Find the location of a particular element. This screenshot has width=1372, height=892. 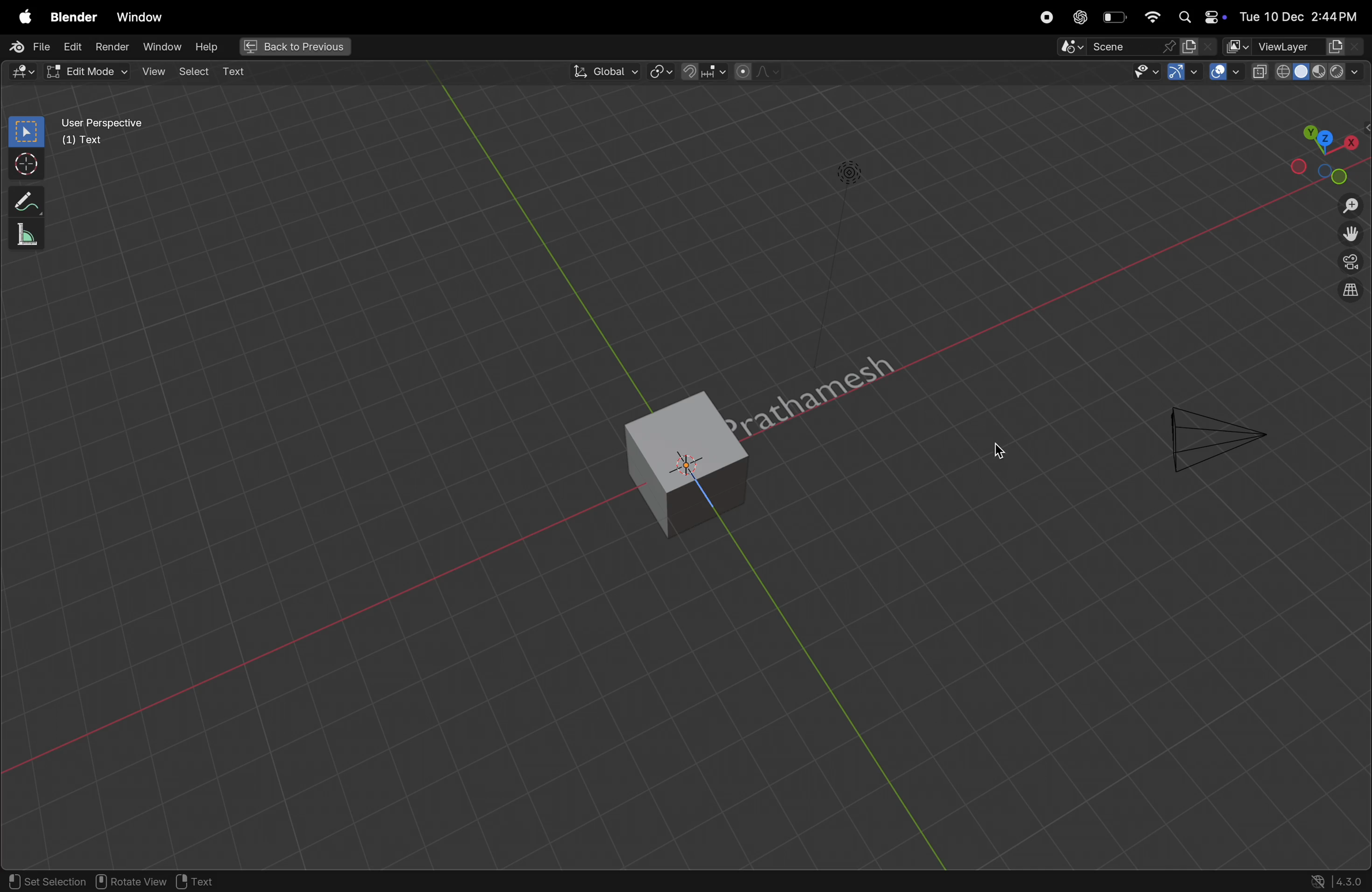

View shading is located at coordinates (1306, 74).